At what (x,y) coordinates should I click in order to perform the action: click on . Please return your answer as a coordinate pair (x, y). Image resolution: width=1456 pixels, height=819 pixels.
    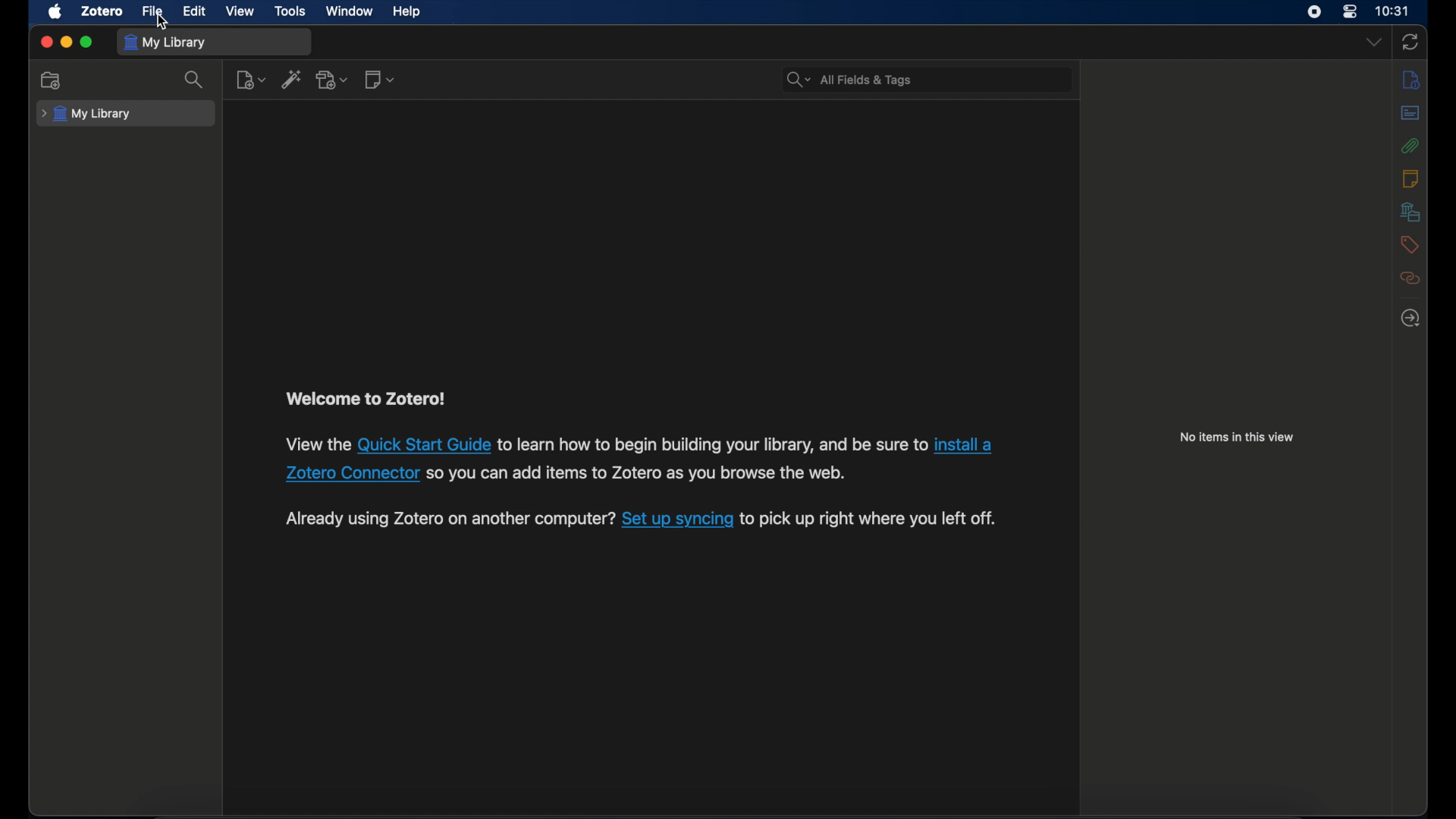
    Looking at the image, I should click on (317, 444).